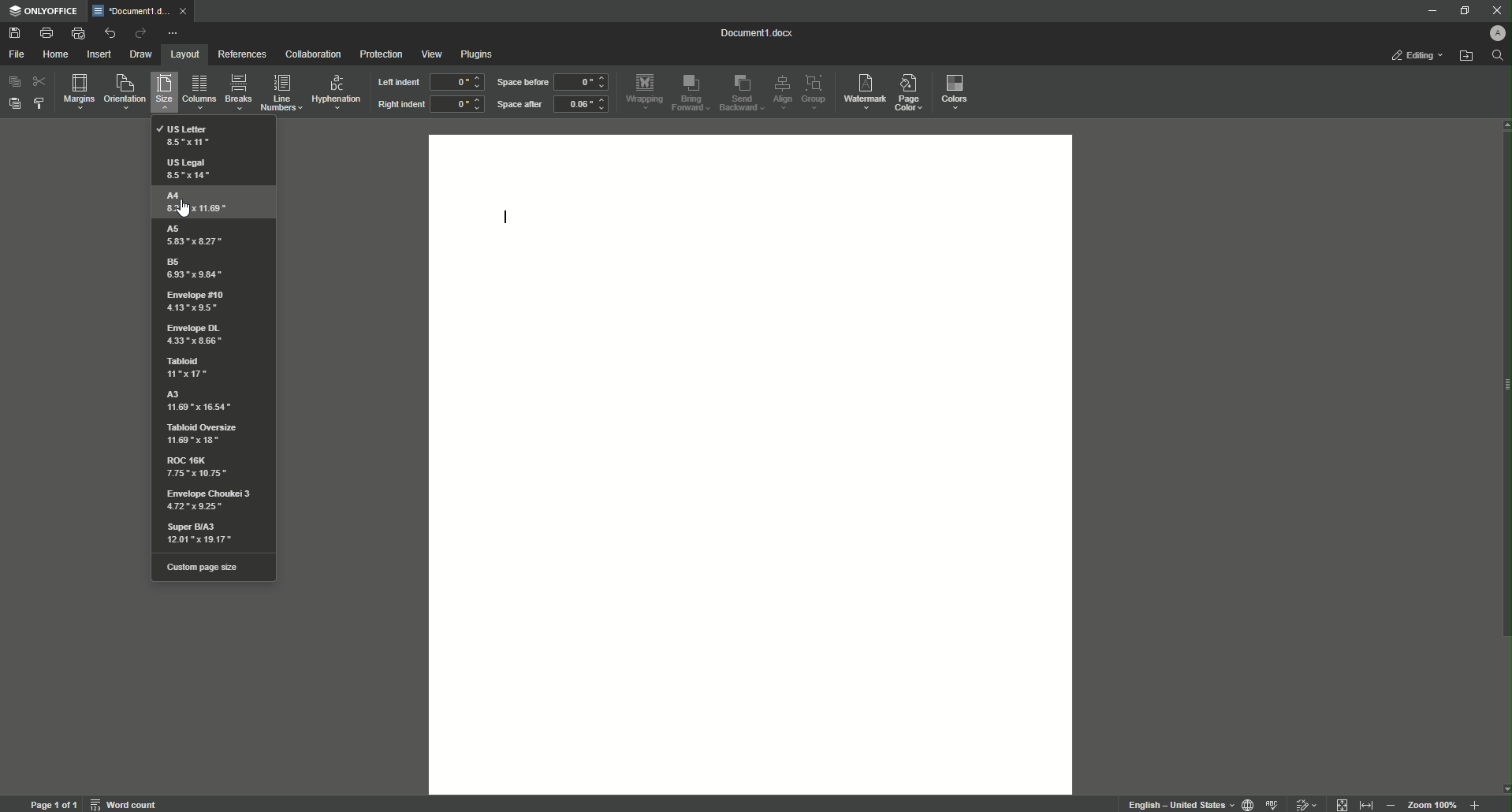  Describe the element at coordinates (139, 11) in the screenshot. I see `Tab 1` at that location.